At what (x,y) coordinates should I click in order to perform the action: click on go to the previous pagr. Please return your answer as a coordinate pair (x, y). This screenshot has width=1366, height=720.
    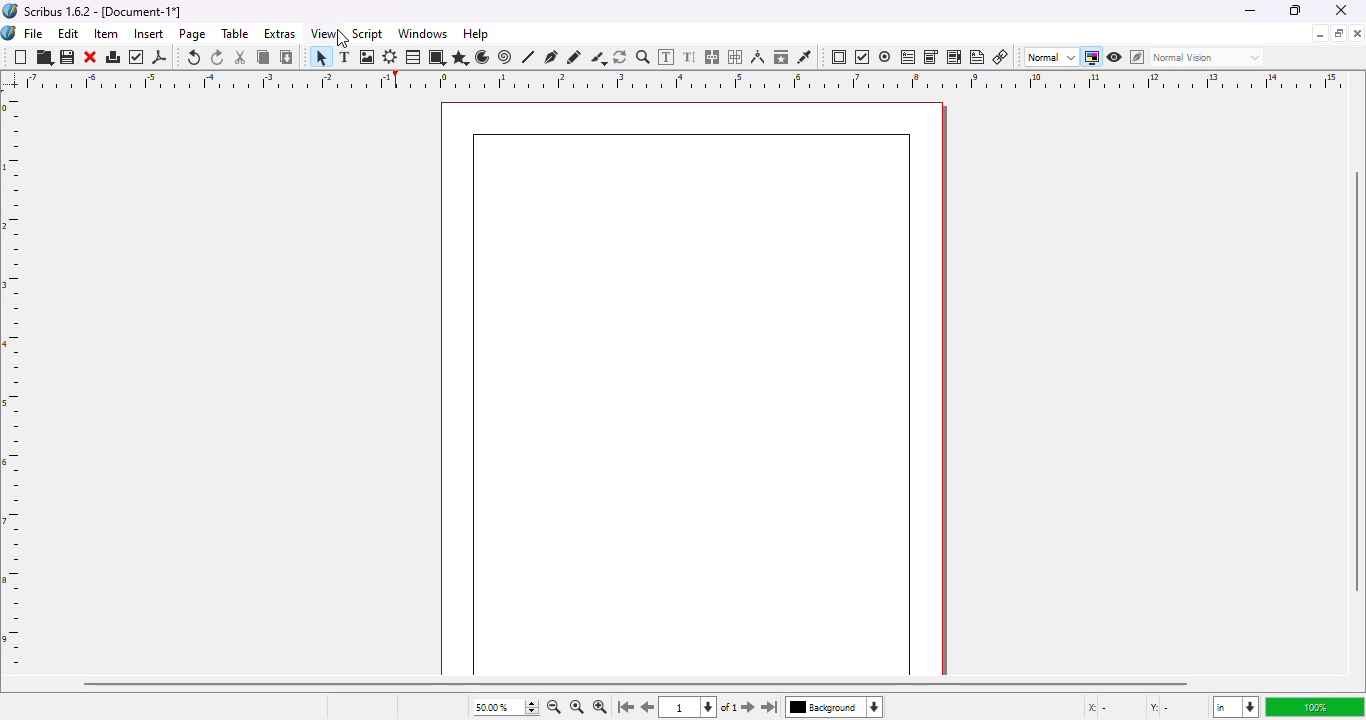
    Looking at the image, I should click on (649, 708).